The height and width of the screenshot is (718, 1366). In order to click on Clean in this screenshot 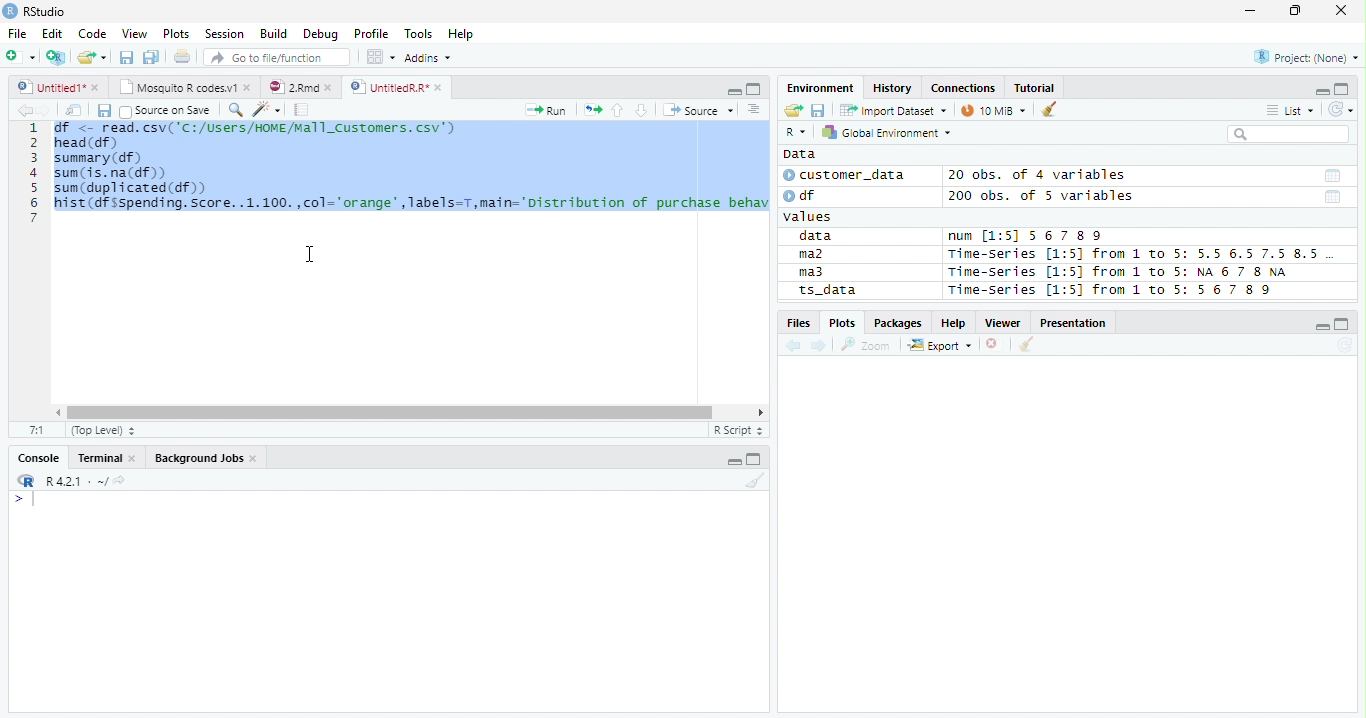, I will do `click(755, 482)`.